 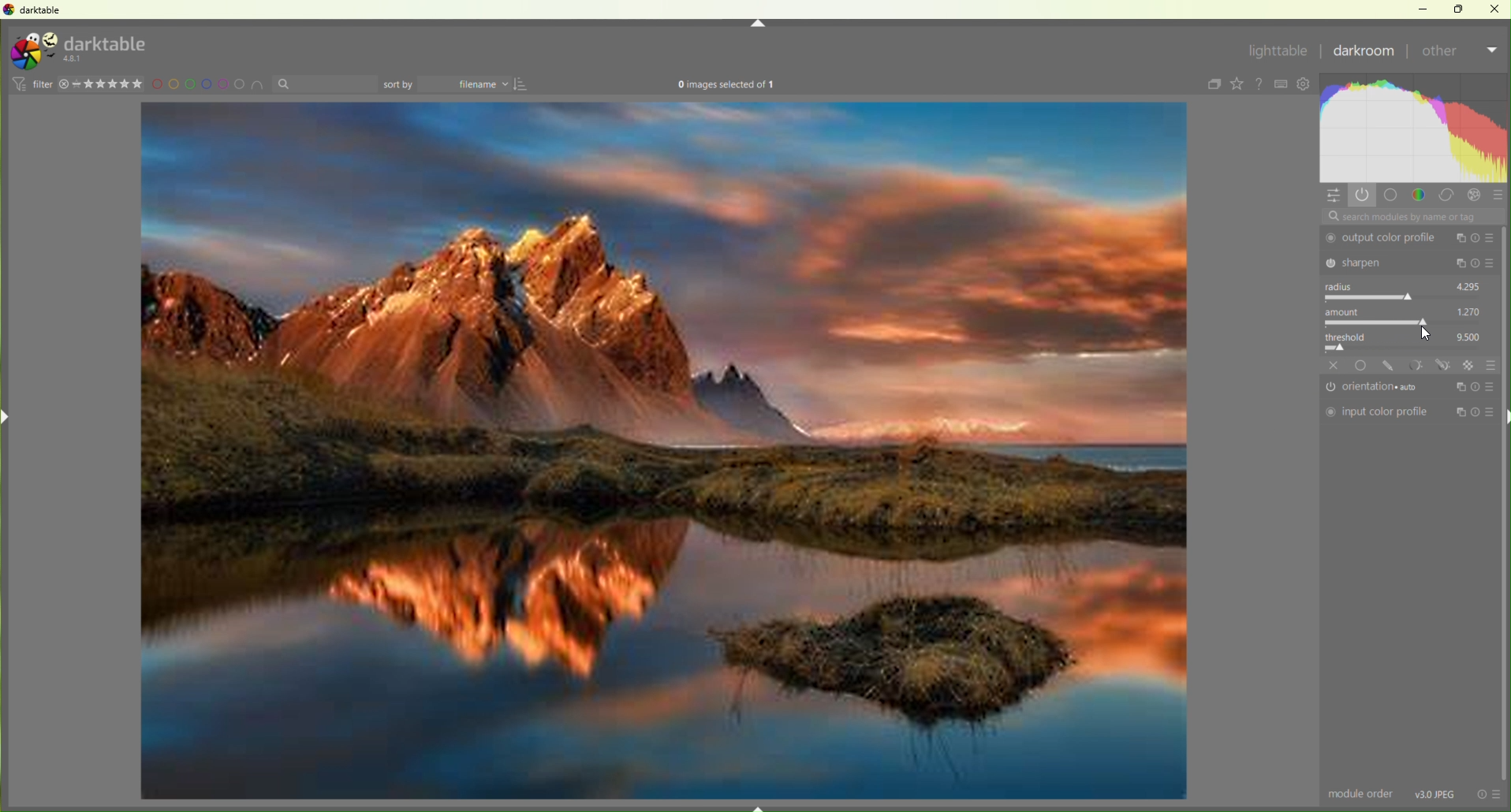 What do you see at coordinates (1476, 413) in the screenshot?
I see `copy, reset and presets` at bounding box center [1476, 413].